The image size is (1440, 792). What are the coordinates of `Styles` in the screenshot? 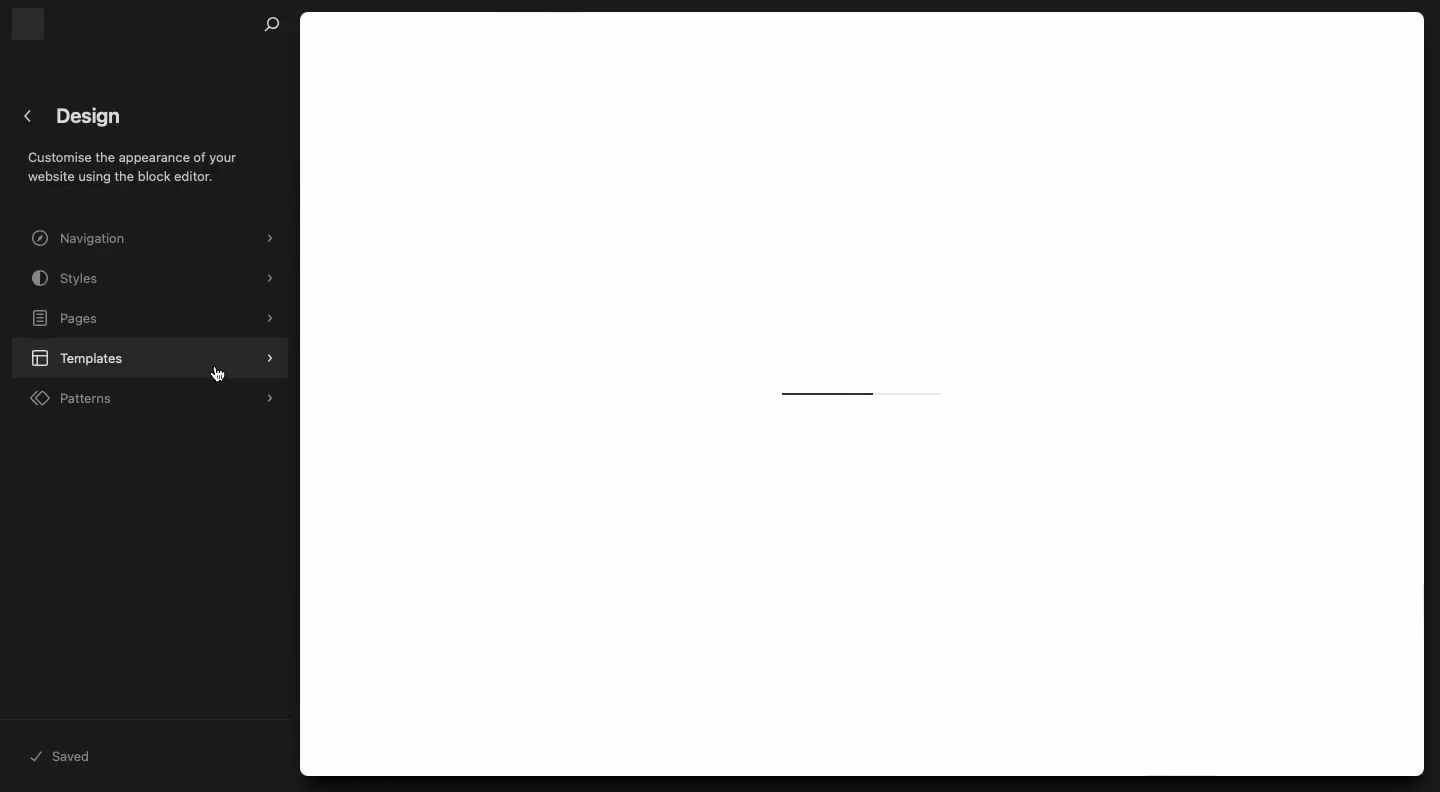 It's located at (151, 277).